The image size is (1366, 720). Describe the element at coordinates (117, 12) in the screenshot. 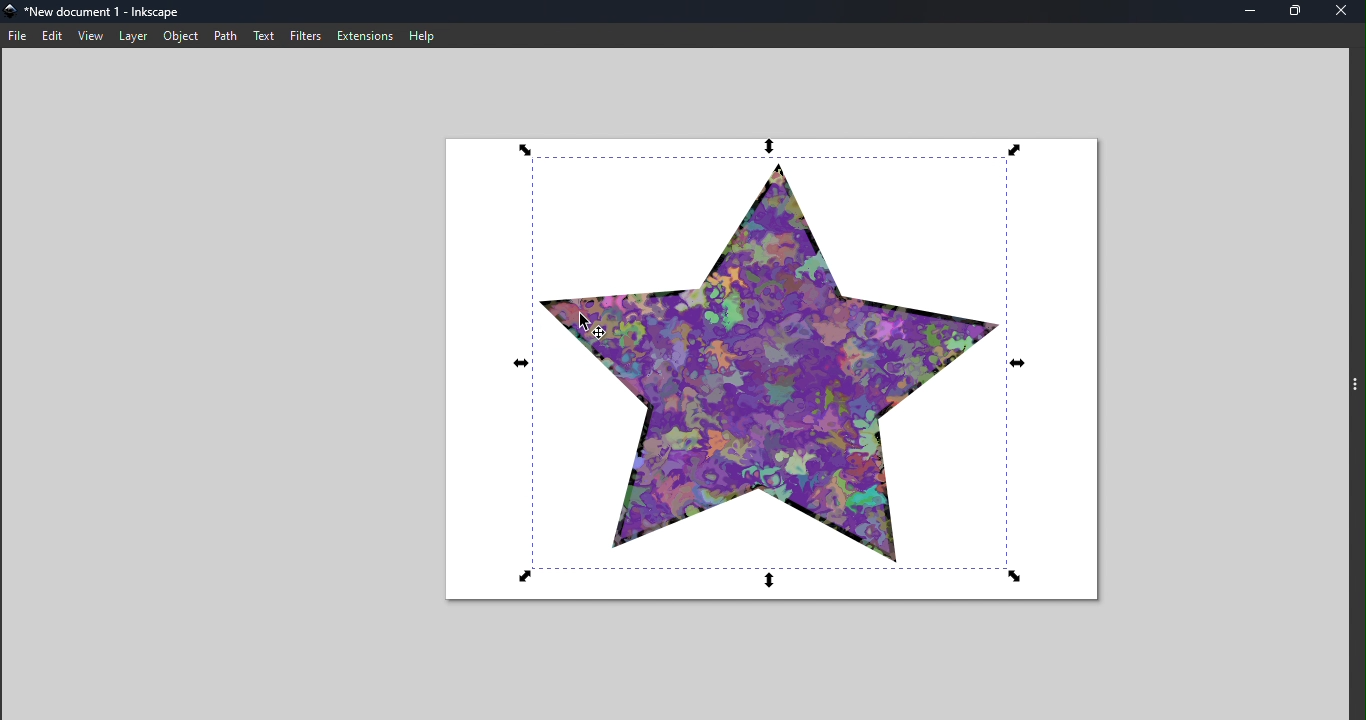

I see `File name` at that location.